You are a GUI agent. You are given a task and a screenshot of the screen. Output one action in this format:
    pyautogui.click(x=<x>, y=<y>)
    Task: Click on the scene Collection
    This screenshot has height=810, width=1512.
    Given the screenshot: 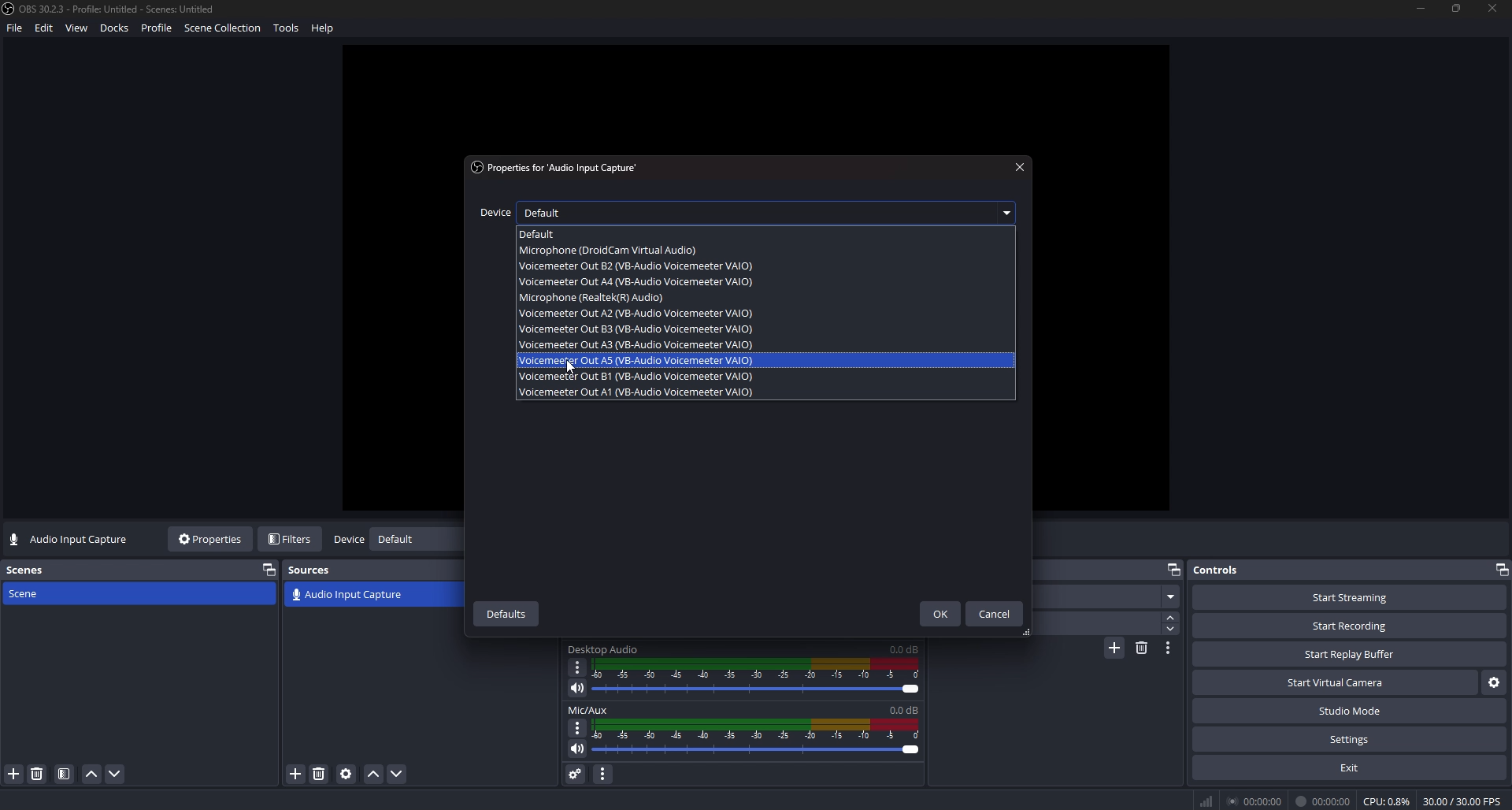 What is the action you would take?
    pyautogui.click(x=224, y=30)
    